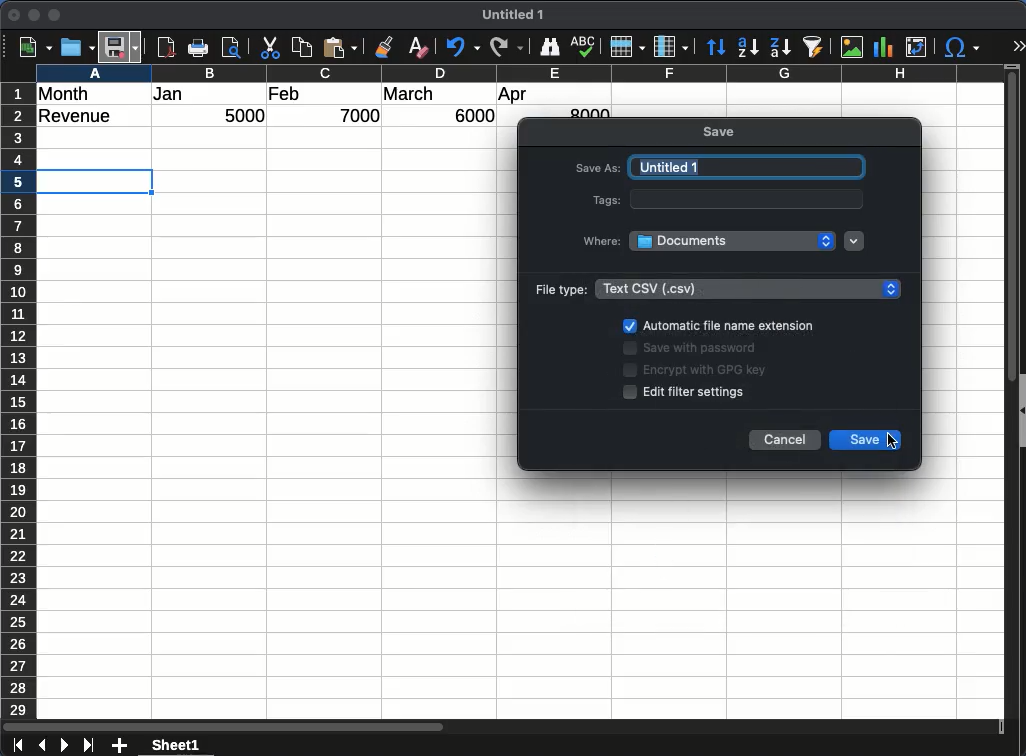  What do you see at coordinates (16, 746) in the screenshot?
I see `first sheet` at bounding box center [16, 746].